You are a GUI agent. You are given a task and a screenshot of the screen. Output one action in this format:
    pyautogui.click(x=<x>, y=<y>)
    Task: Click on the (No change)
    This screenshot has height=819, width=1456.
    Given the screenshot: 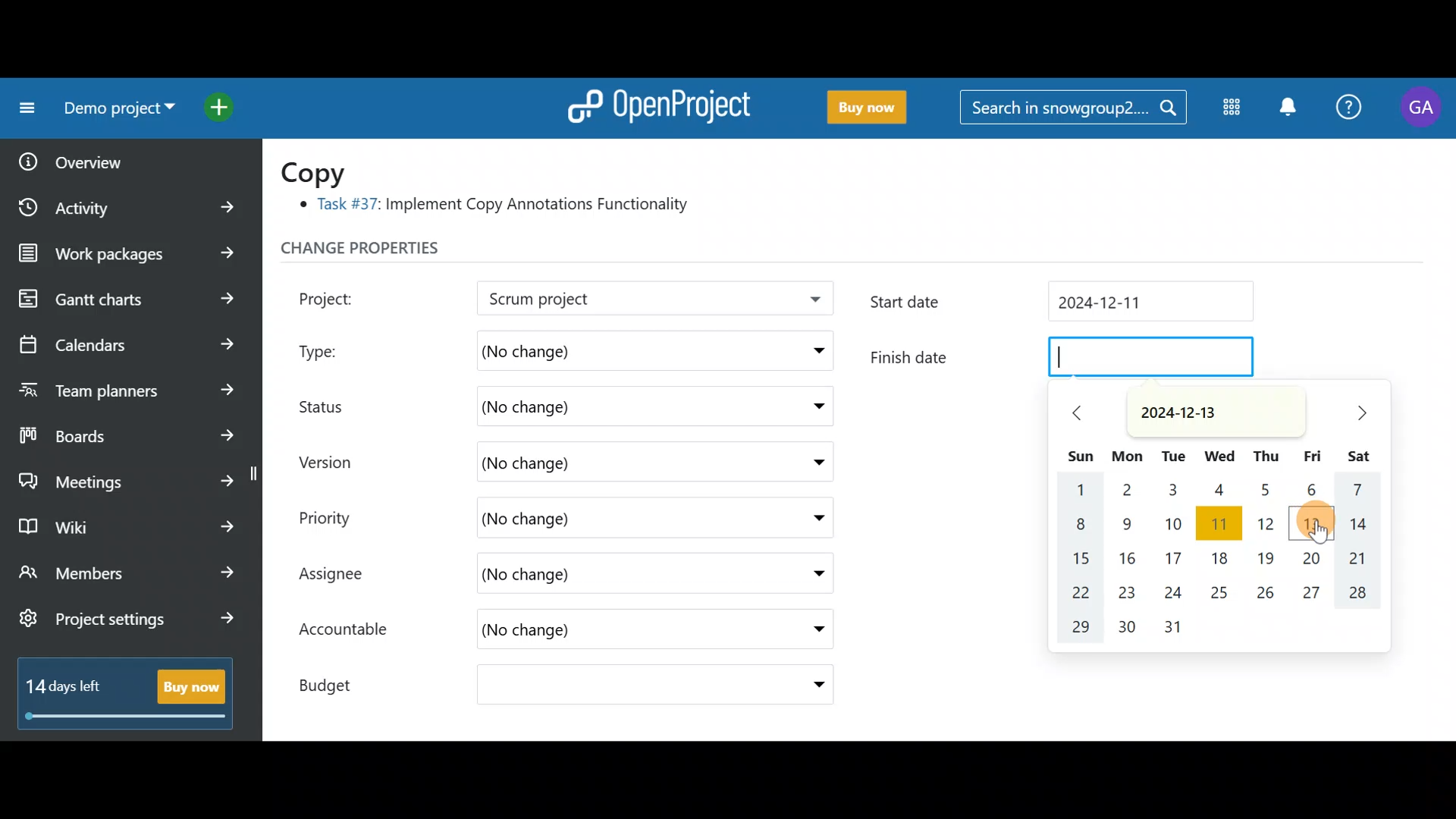 What is the action you would take?
    pyautogui.click(x=582, y=632)
    